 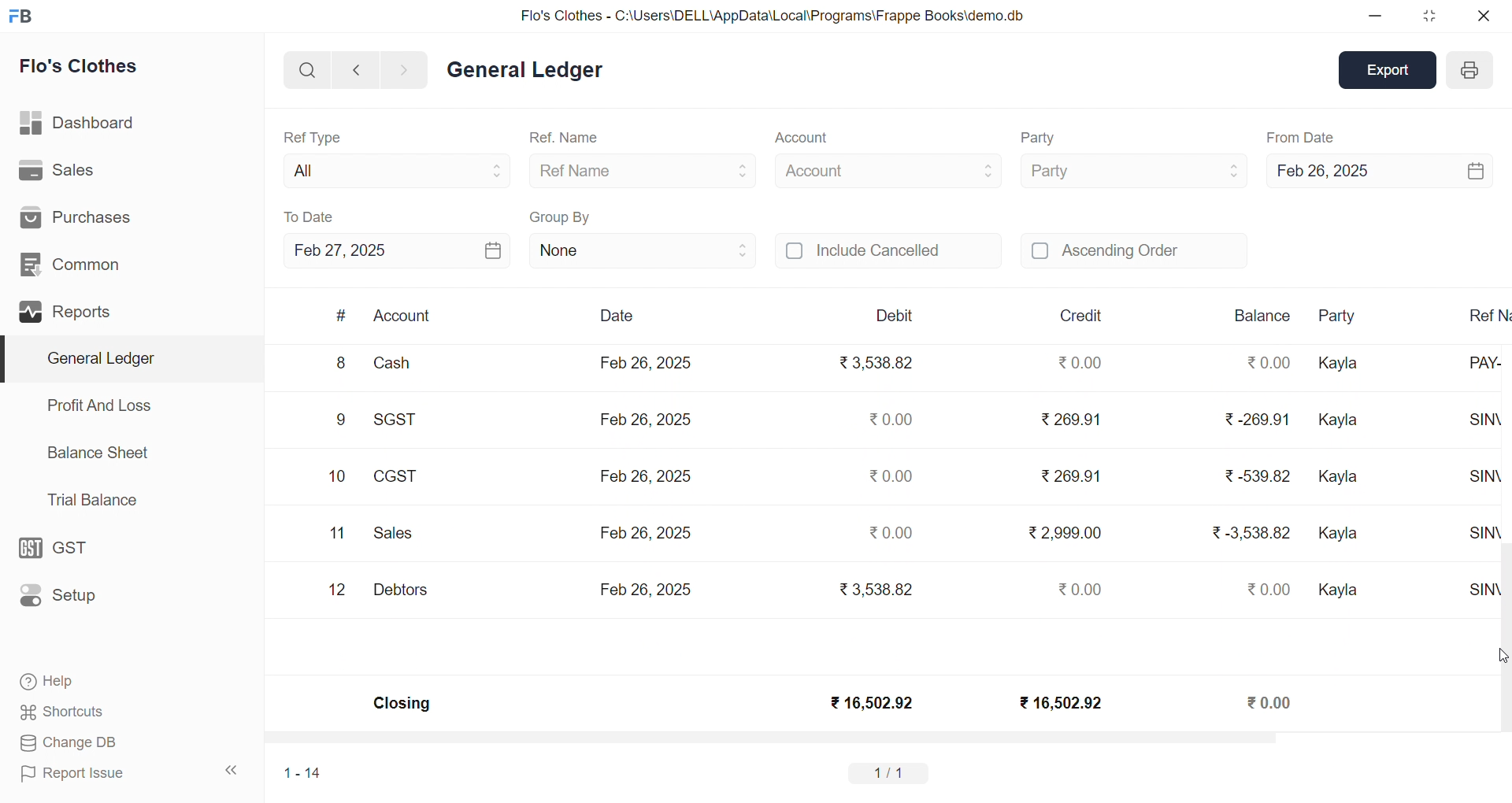 What do you see at coordinates (876, 740) in the screenshot?
I see `HORIZONTAL SCROLL BAR` at bounding box center [876, 740].